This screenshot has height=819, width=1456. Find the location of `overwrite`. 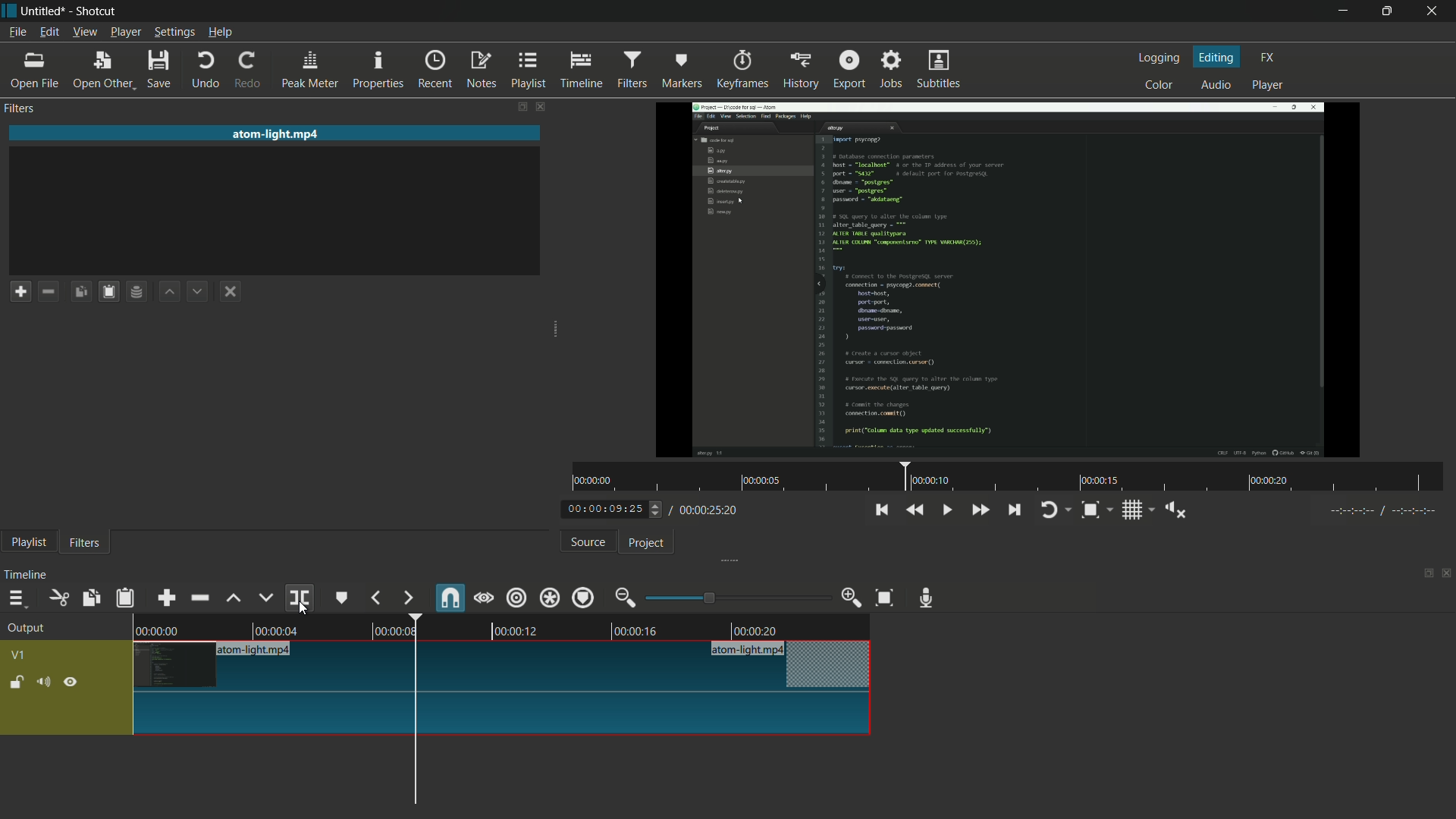

overwrite is located at coordinates (265, 598).